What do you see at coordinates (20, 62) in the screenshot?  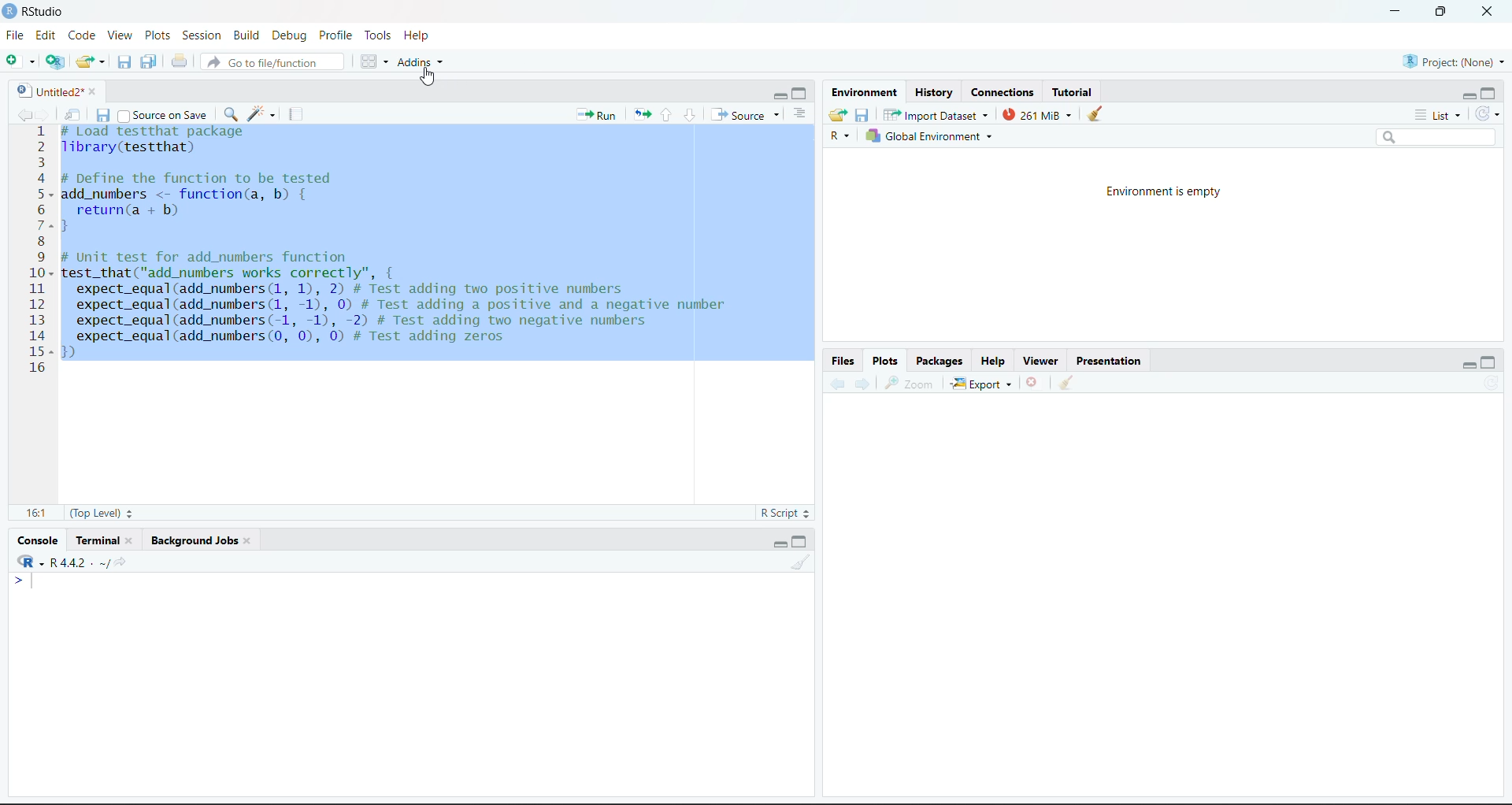 I see `New file` at bounding box center [20, 62].